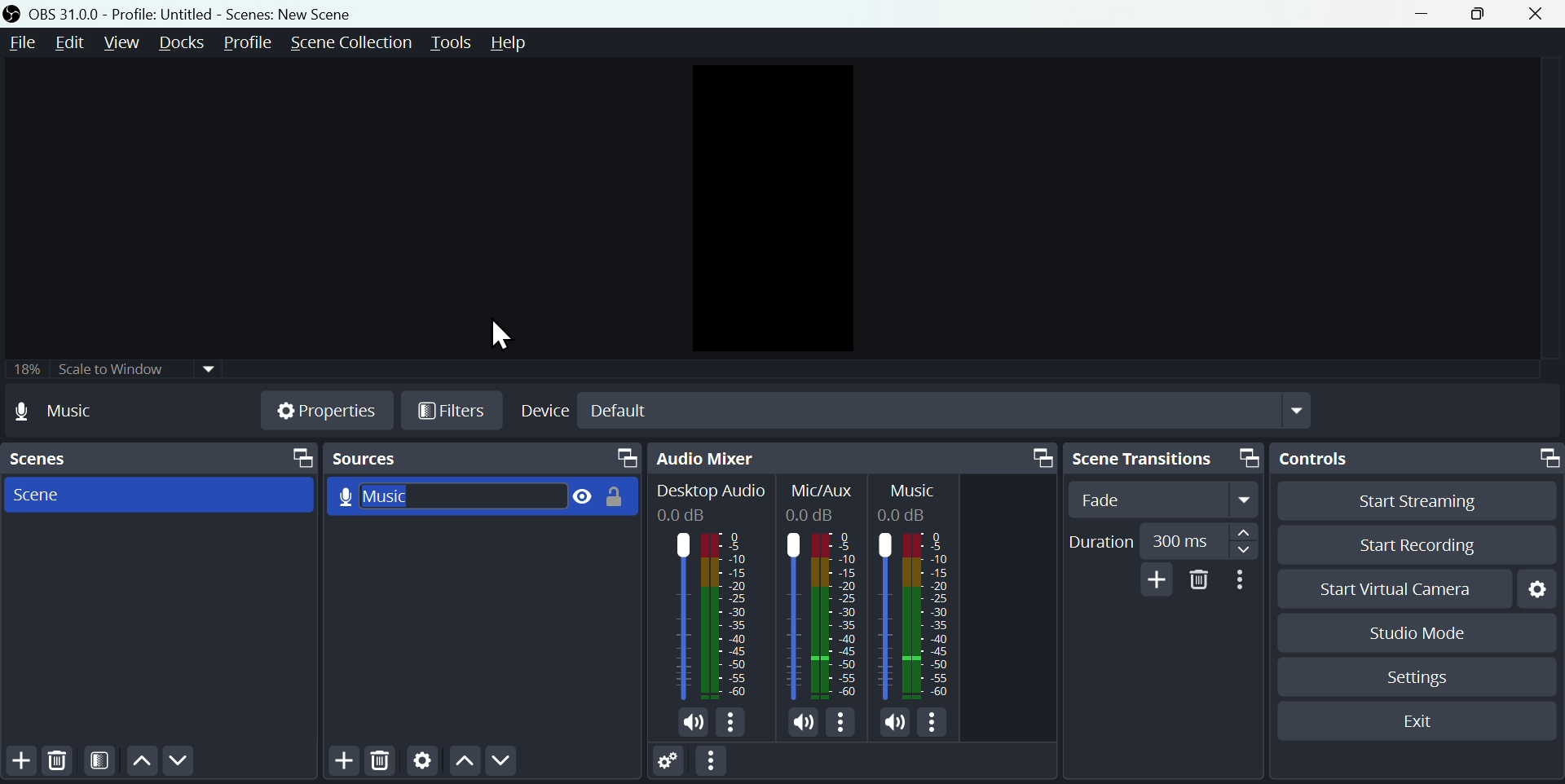  I want to click on Delete, so click(1199, 580).